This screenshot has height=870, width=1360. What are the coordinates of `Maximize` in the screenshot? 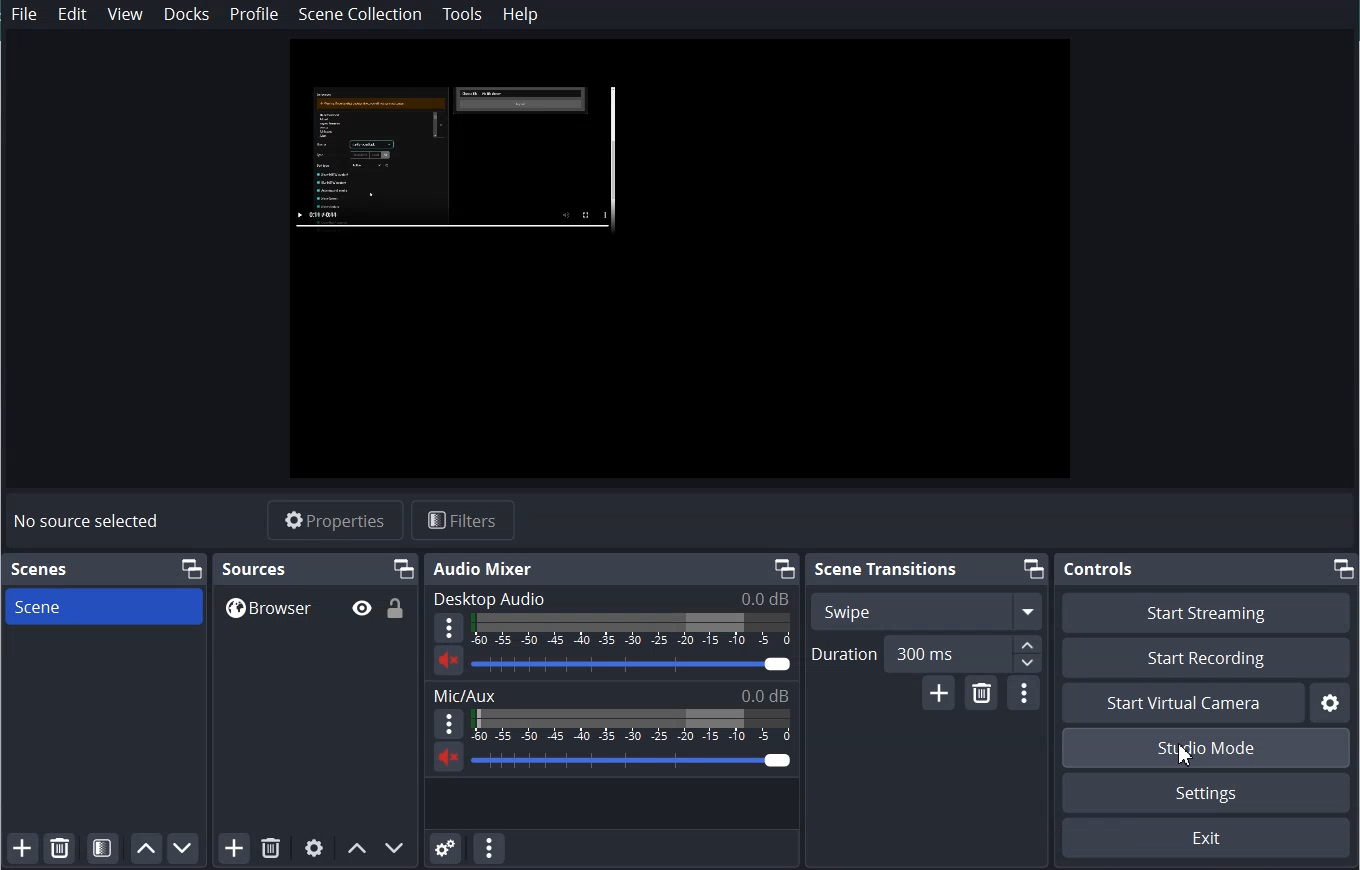 It's located at (404, 568).